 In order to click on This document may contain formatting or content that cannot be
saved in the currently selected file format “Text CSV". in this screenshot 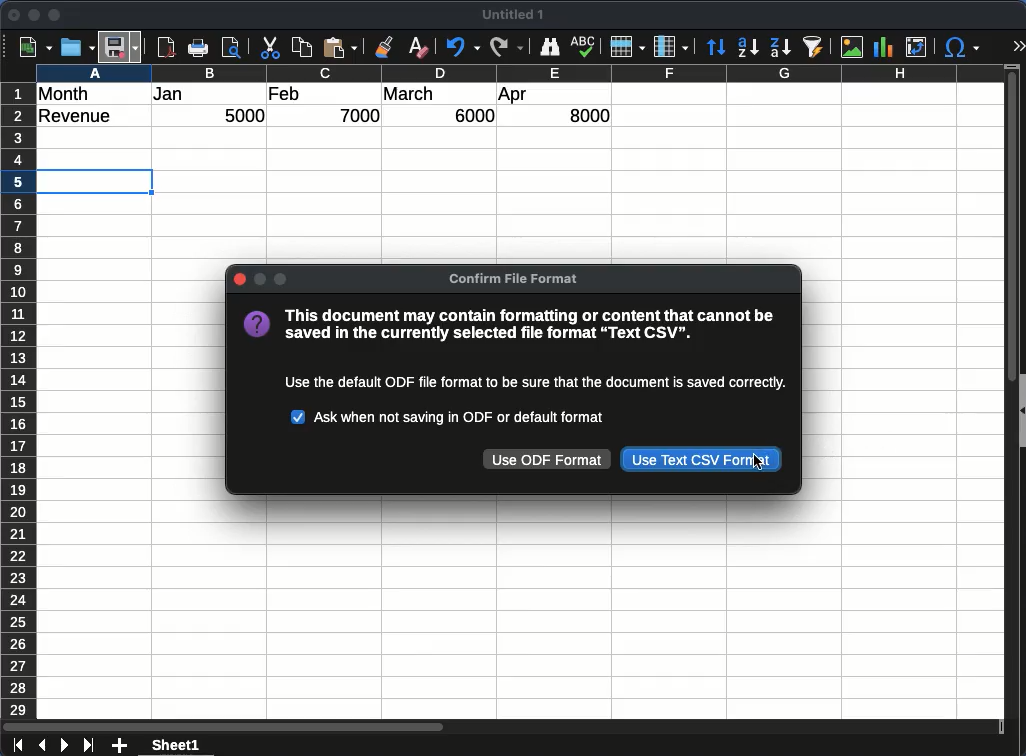, I will do `click(531, 326)`.